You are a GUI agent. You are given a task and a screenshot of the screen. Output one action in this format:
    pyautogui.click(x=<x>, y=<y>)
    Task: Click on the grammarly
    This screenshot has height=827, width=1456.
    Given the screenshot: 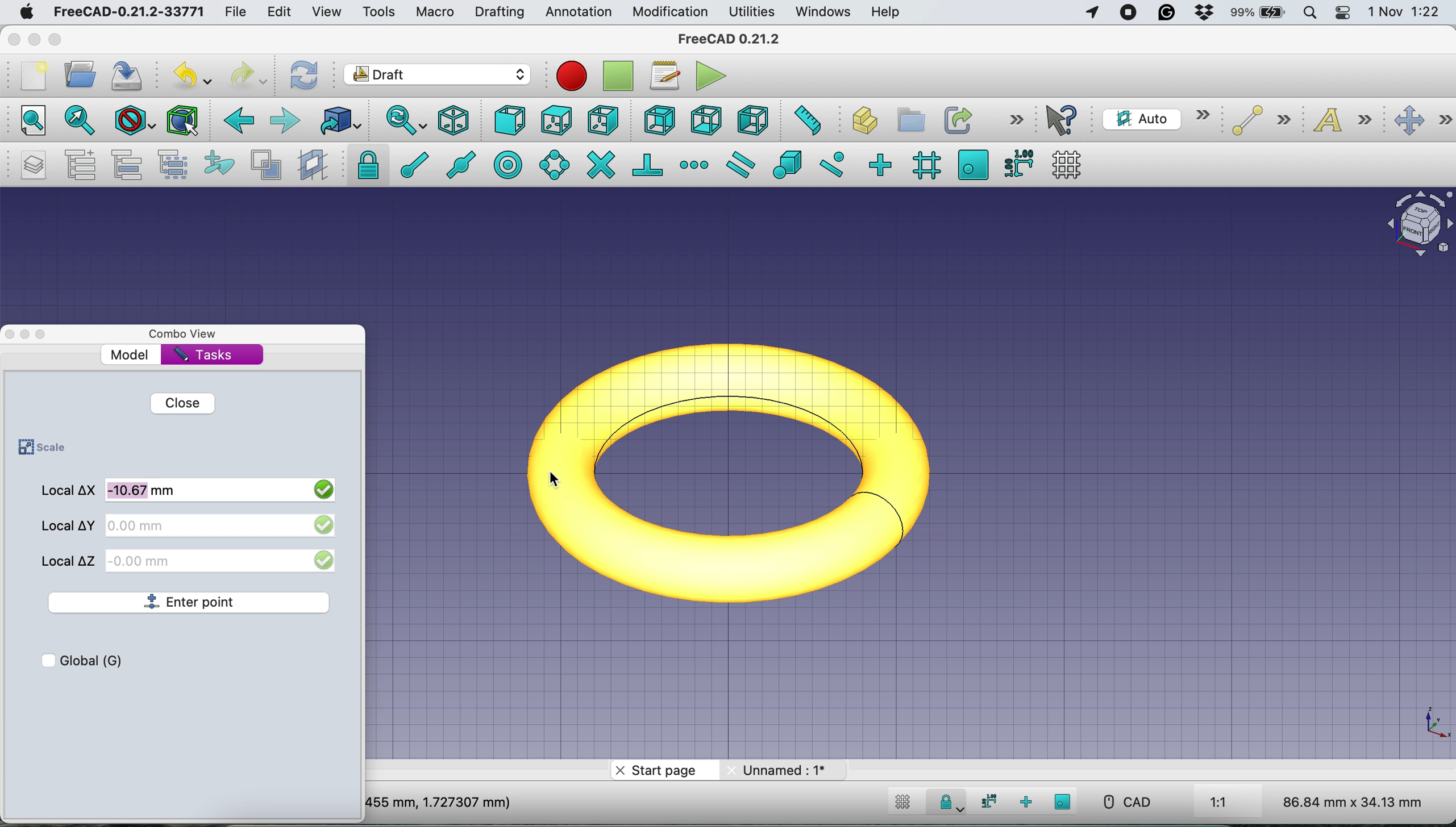 What is the action you would take?
    pyautogui.click(x=1165, y=12)
    